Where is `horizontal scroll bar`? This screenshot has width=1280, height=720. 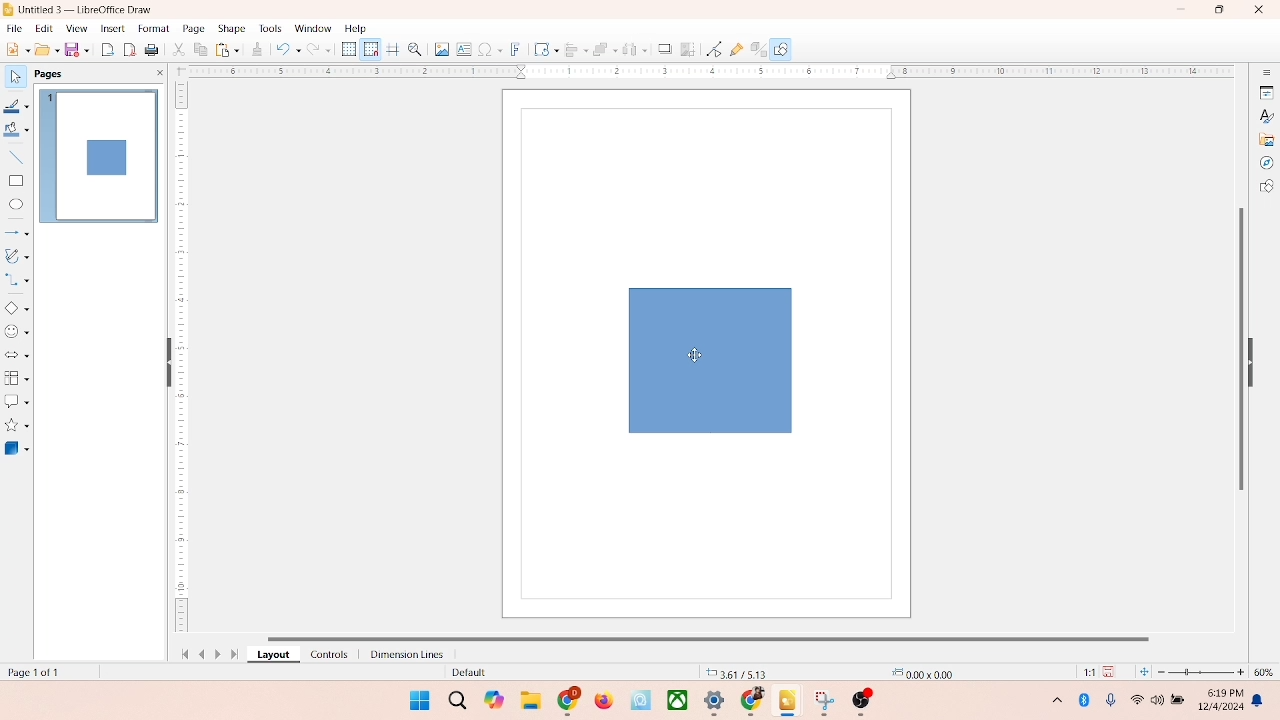 horizontal scroll bar is located at coordinates (724, 636).